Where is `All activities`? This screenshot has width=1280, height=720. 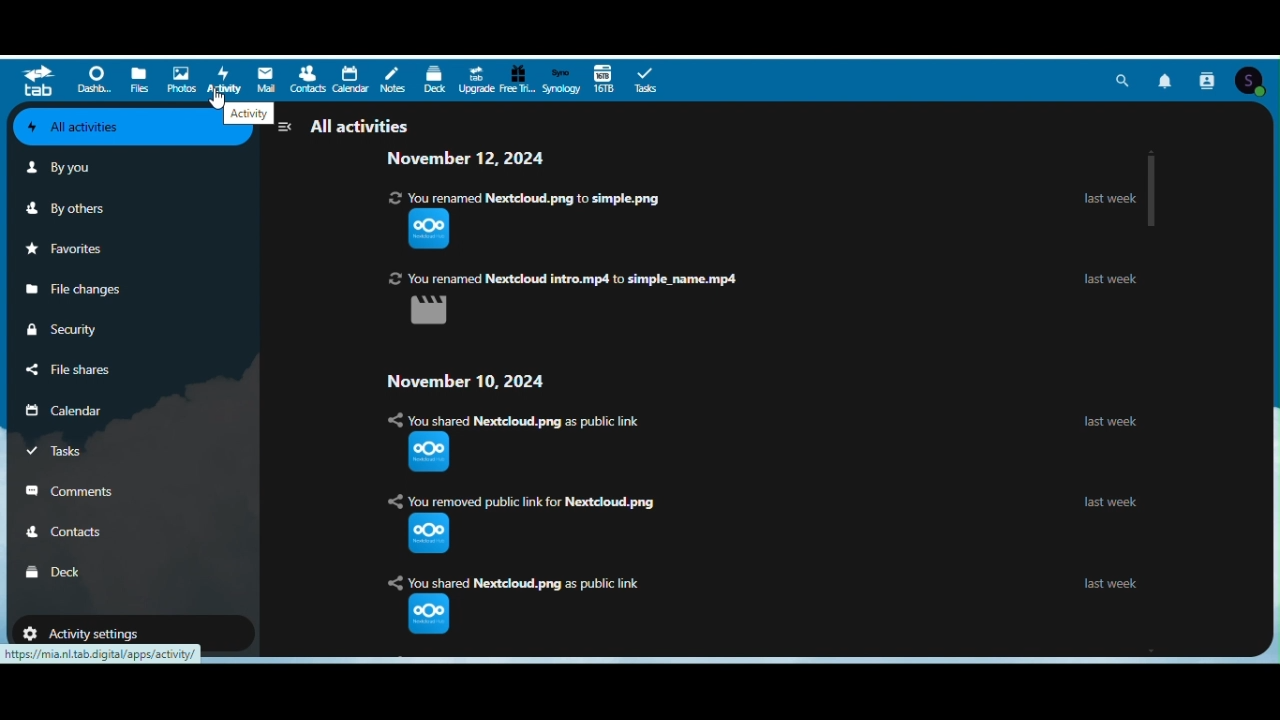
All activities is located at coordinates (103, 128).